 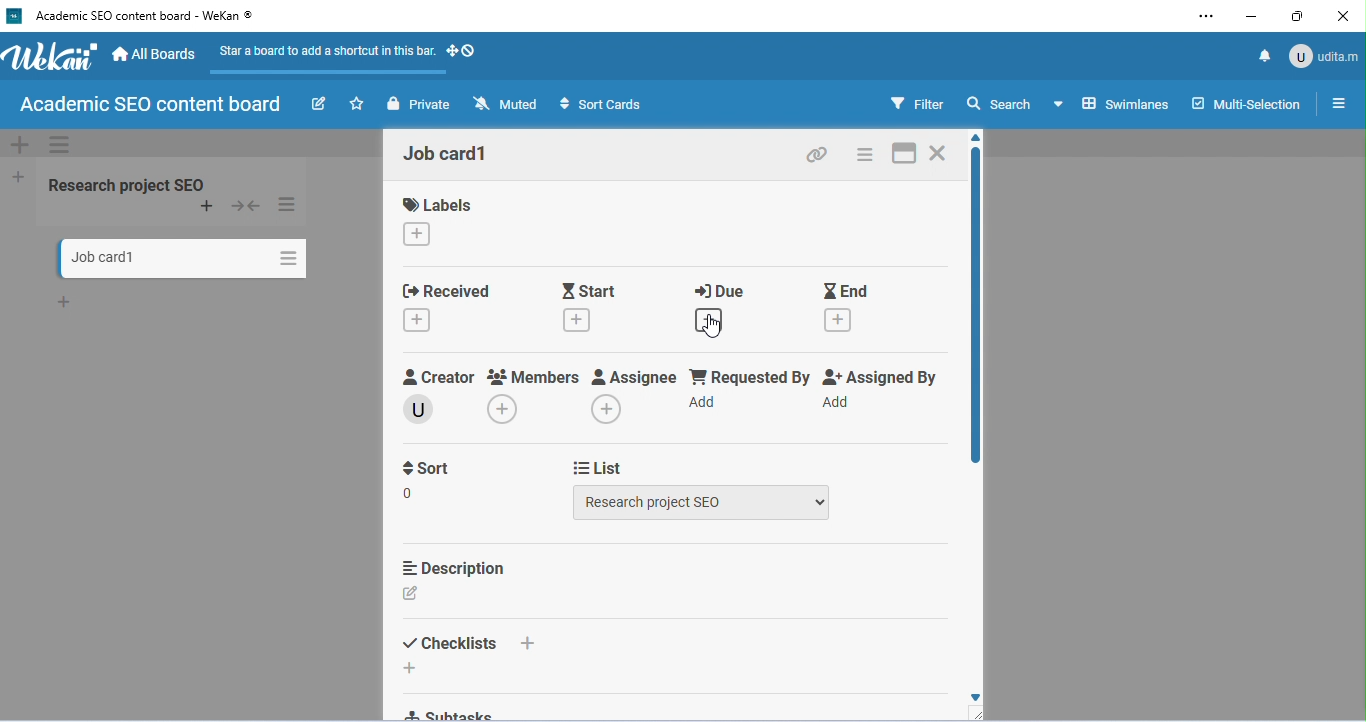 What do you see at coordinates (916, 104) in the screenshot?
I see `filter` at bounding box center [916, 104].